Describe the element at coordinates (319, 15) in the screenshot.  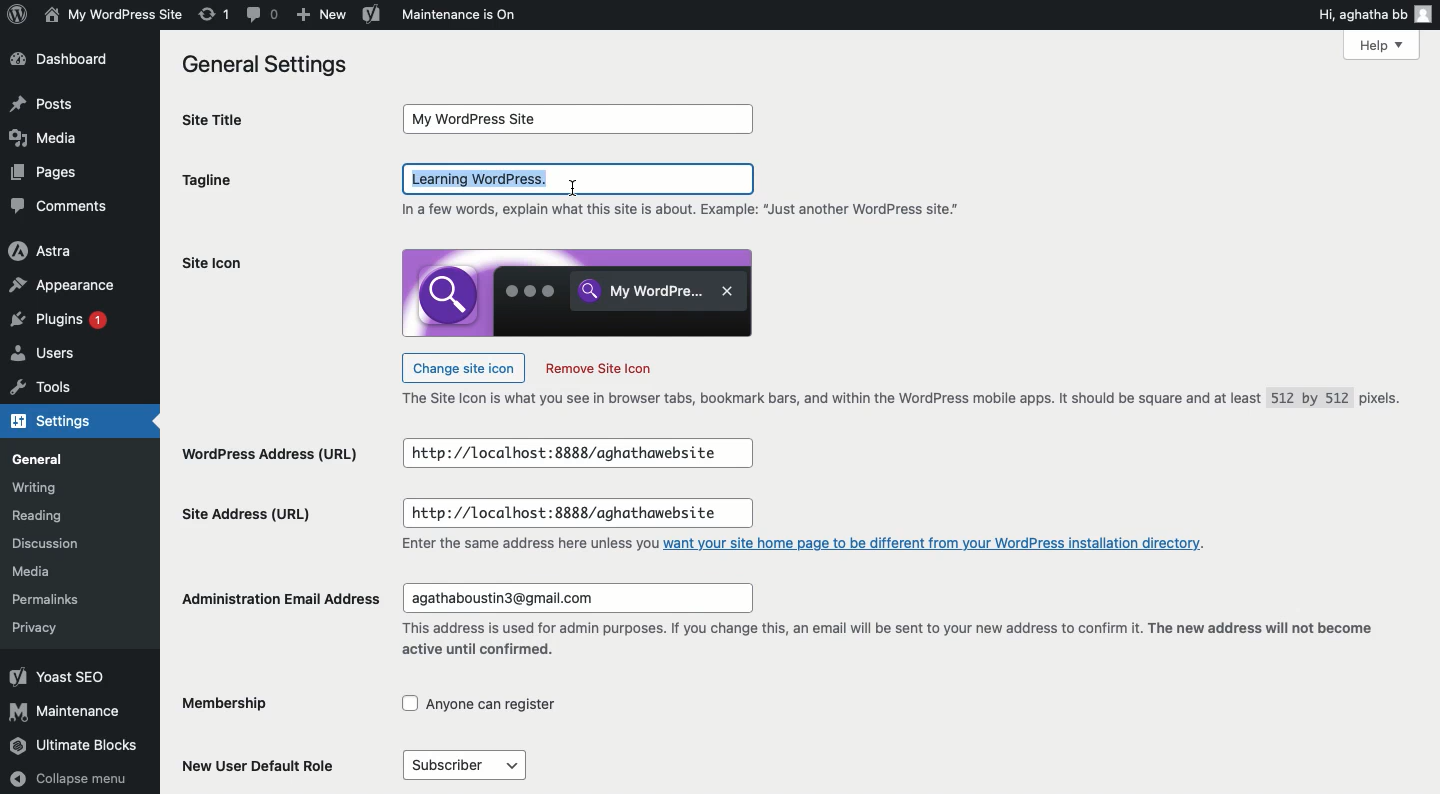
I see `New` at that location.